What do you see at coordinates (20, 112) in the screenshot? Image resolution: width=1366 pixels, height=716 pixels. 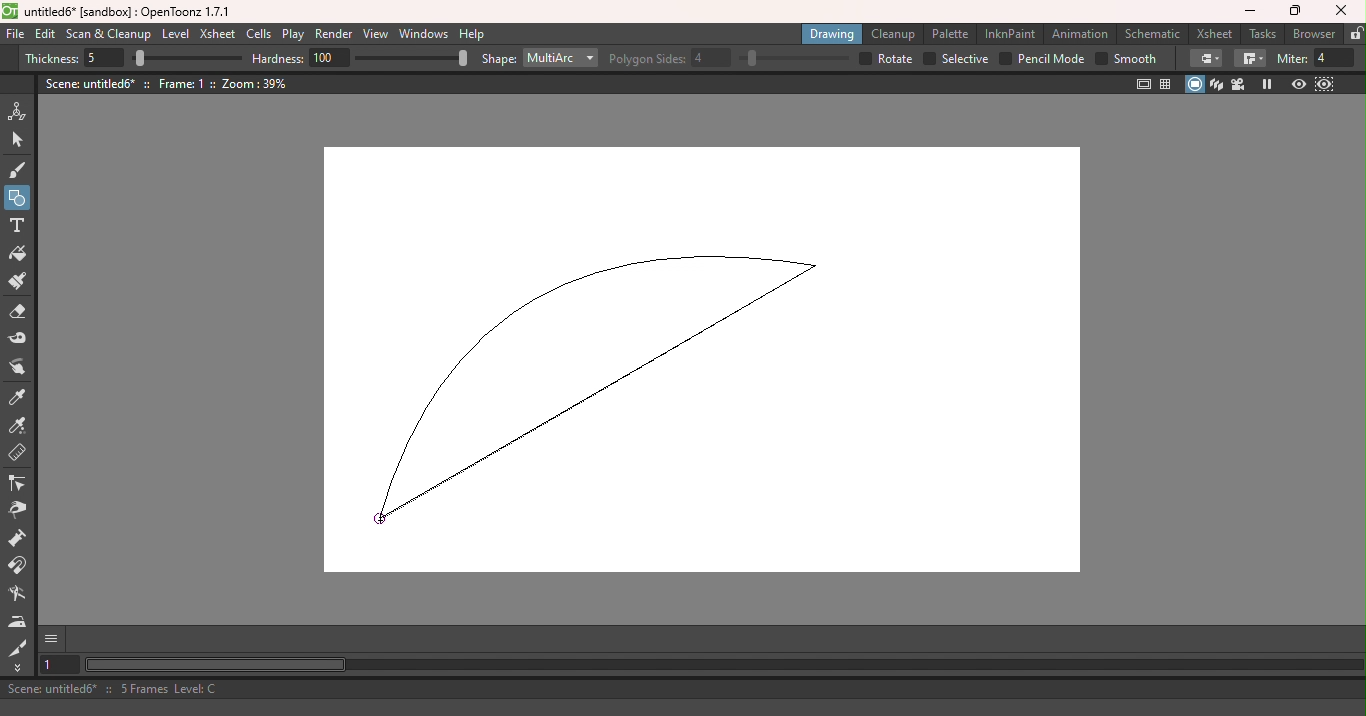 I see `Animate tool` at bounding box center [20, 112].